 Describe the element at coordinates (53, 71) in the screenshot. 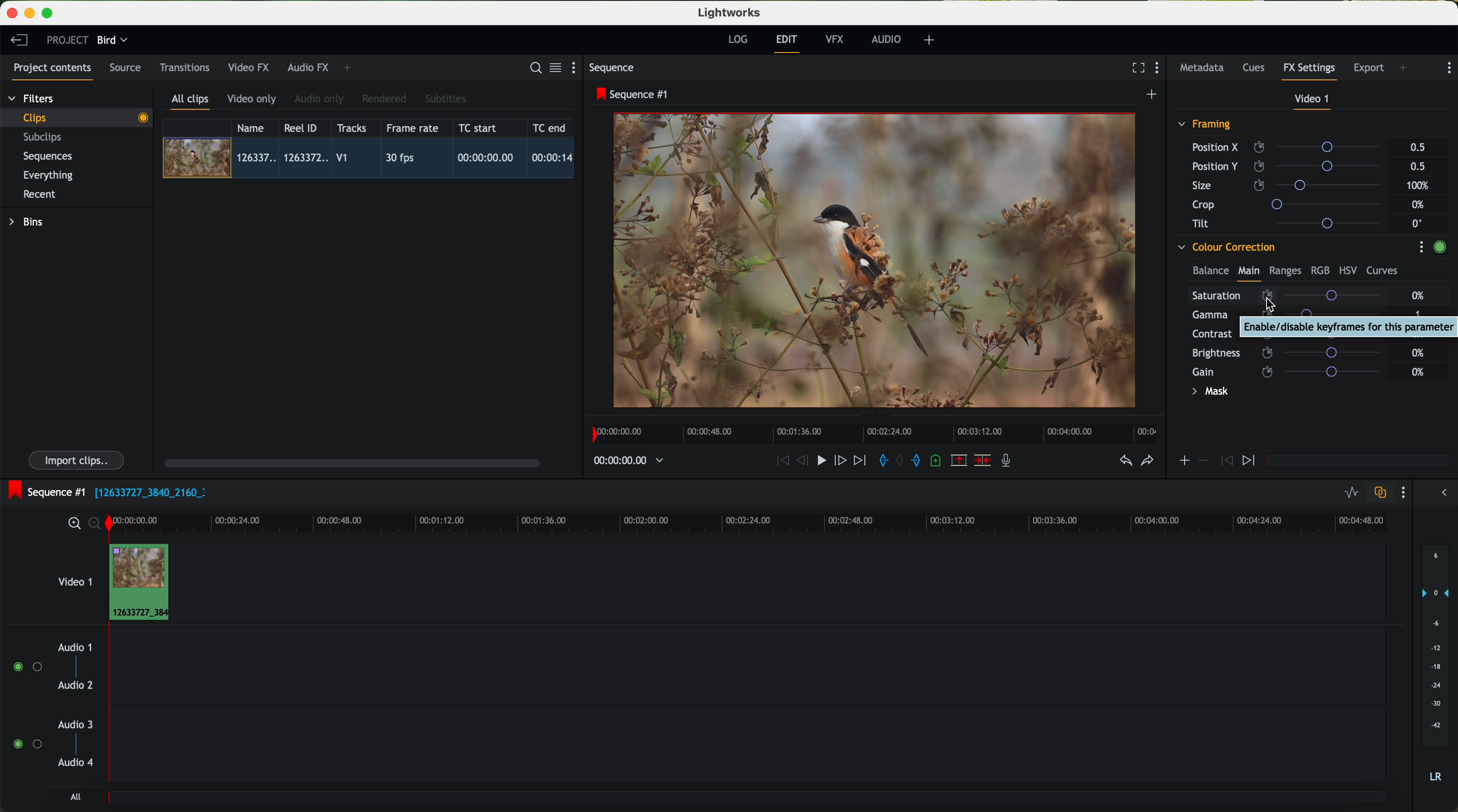

I see `project contents` at that location.